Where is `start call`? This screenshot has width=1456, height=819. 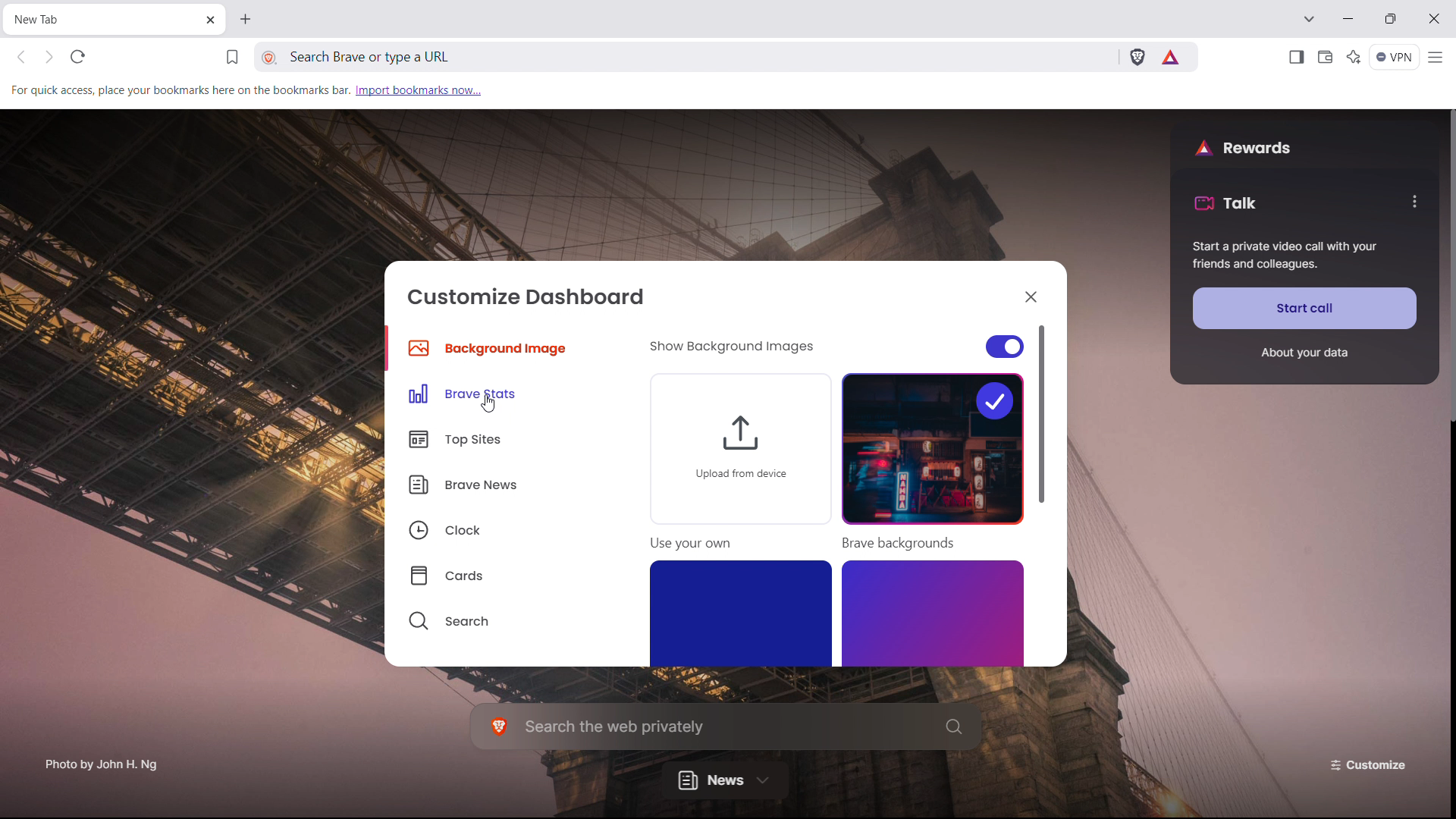 start call is located at coordinates (1305, 308).